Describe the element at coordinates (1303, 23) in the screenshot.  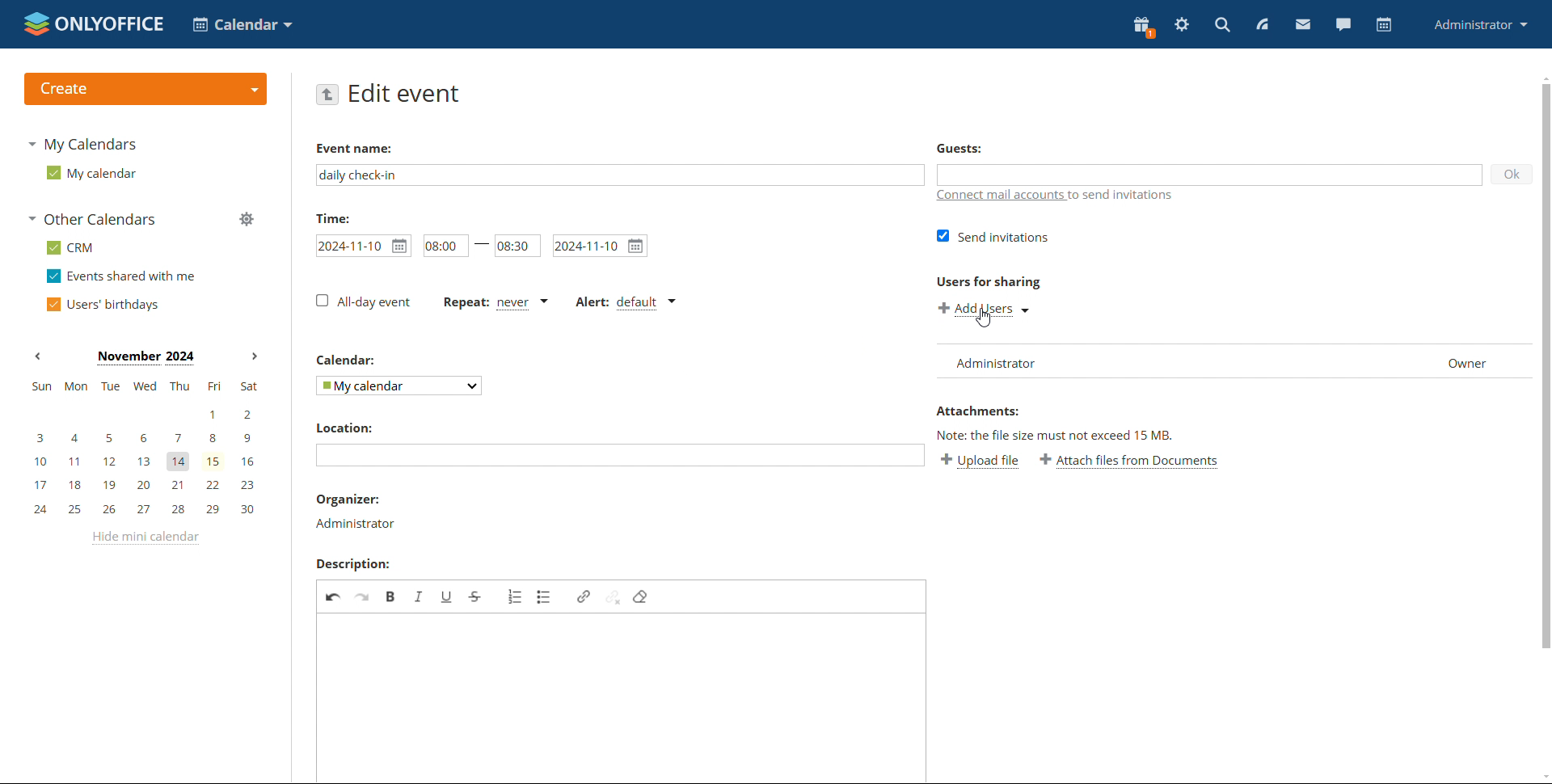
I see `mail` at that location.